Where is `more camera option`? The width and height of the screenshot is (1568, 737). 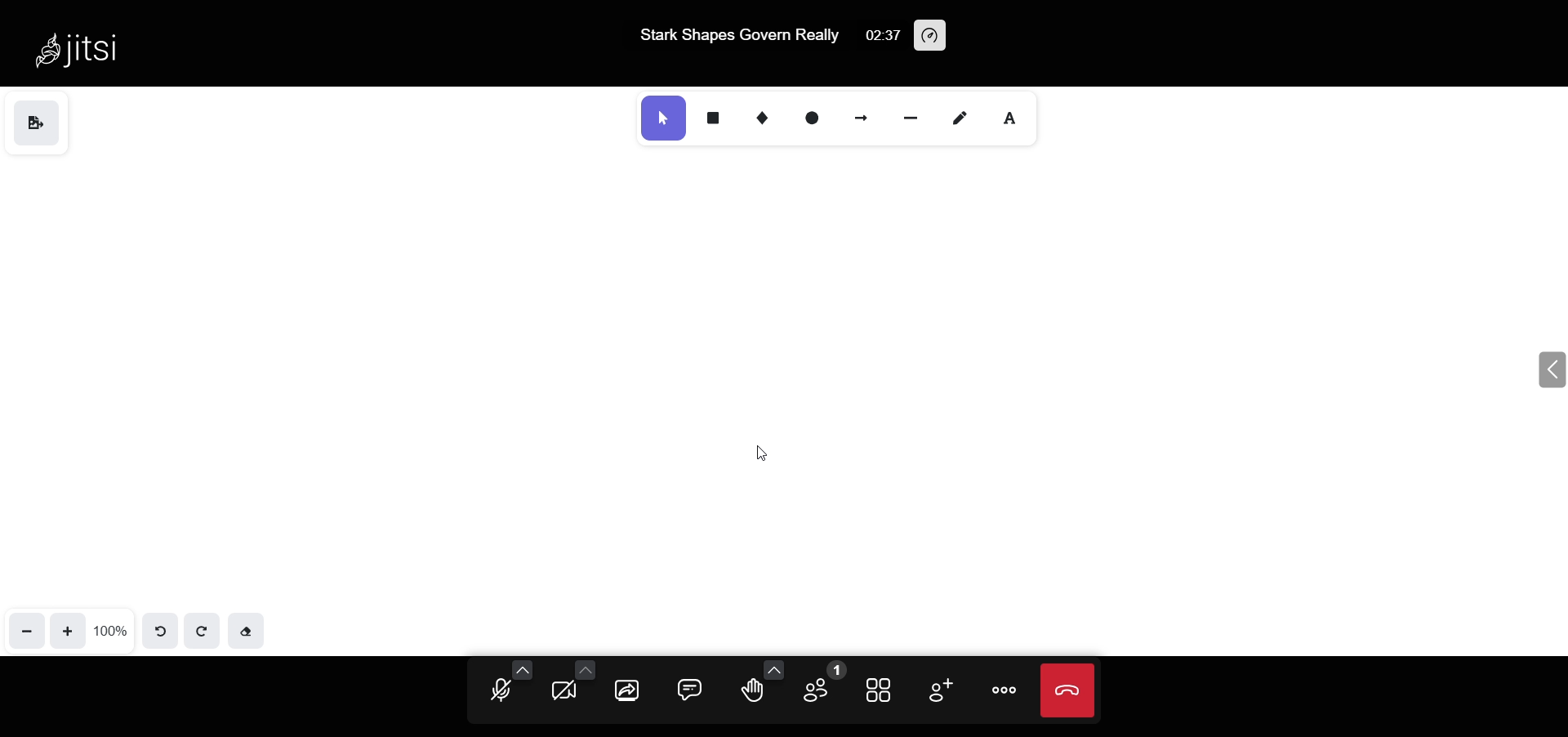 more camera option is located at coordinates (585, 668).